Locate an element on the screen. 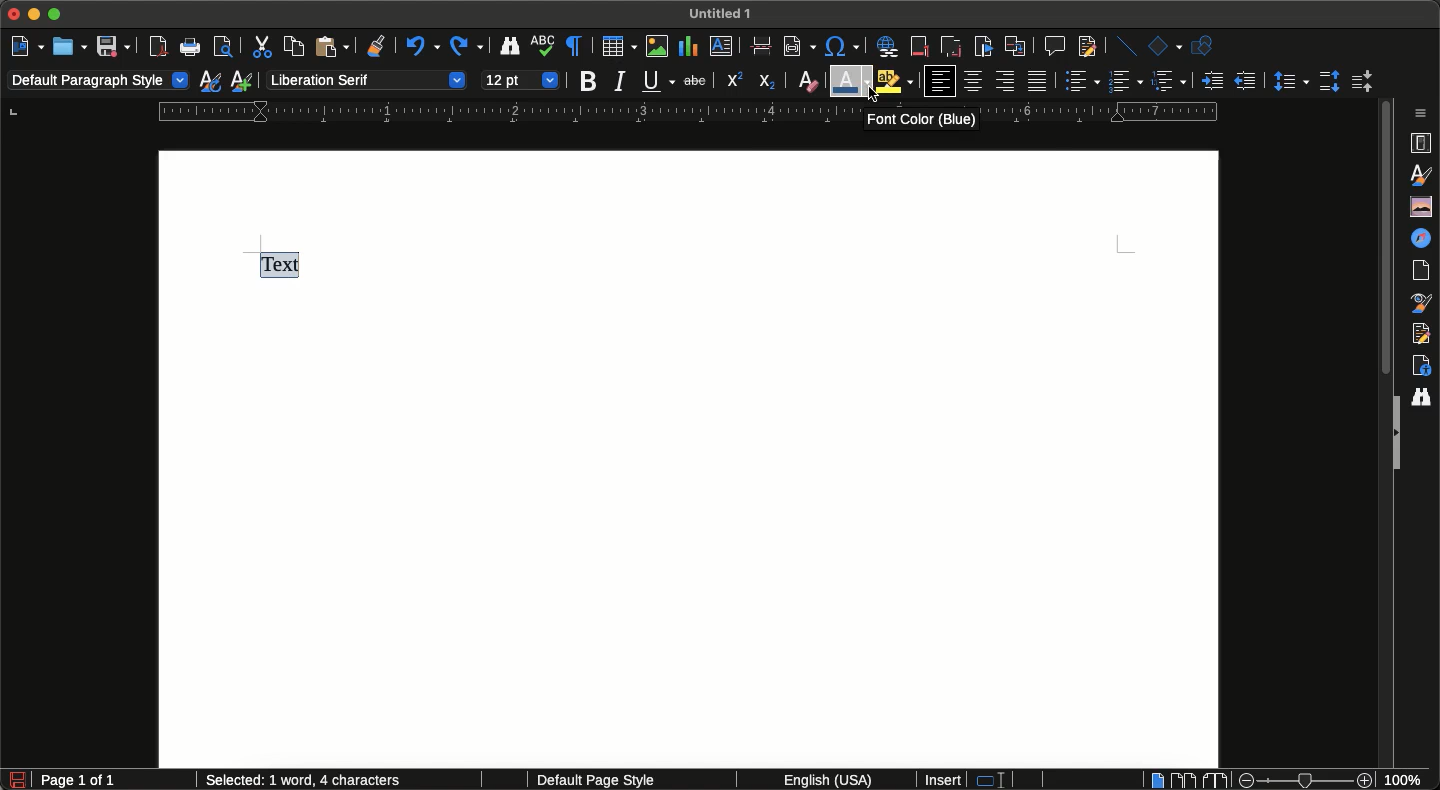  Increase paragraph spacing is located at coordinates (1329, 80).